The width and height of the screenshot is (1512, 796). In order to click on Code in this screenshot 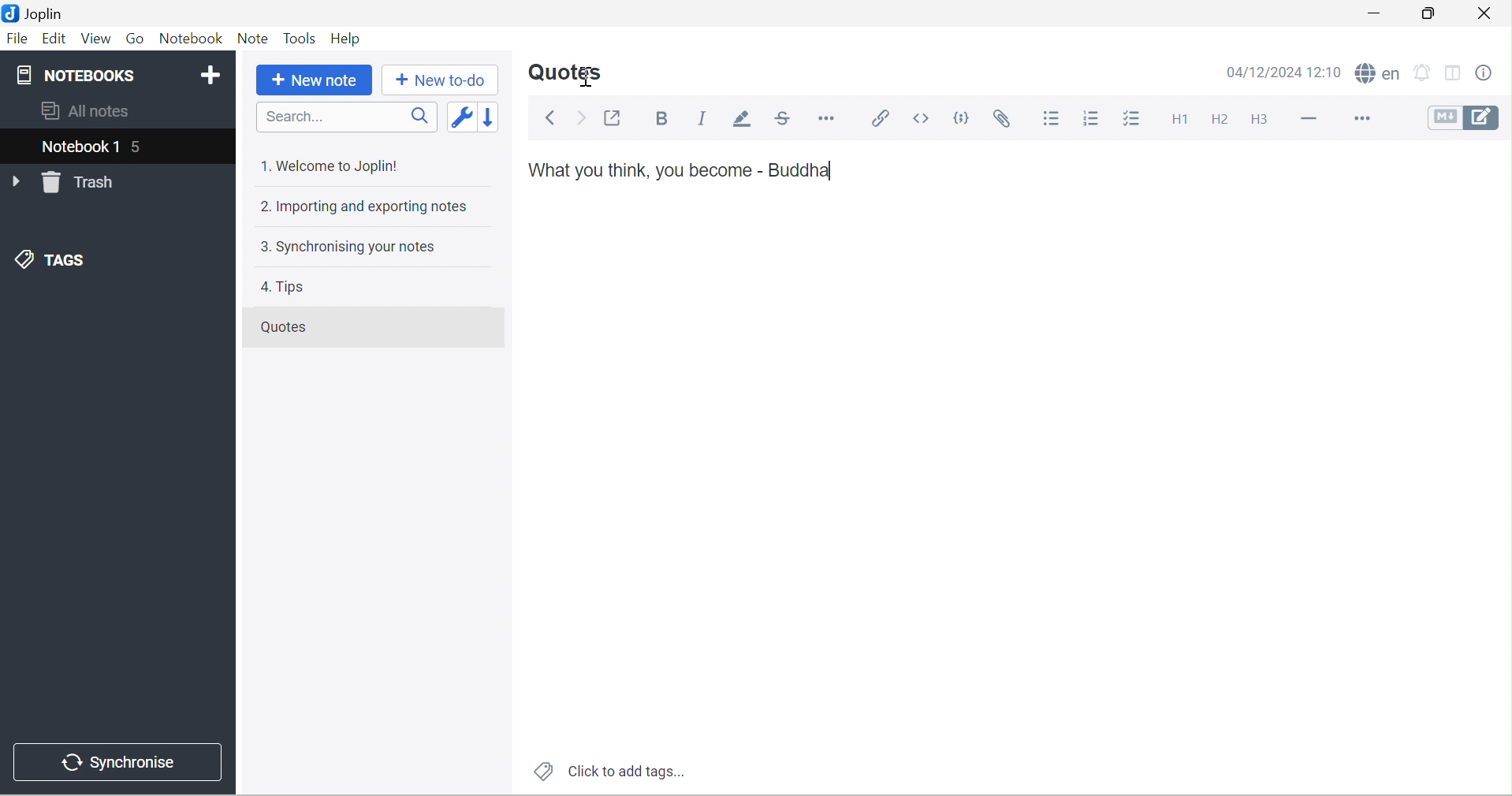, I will do `click(962, 115)`.